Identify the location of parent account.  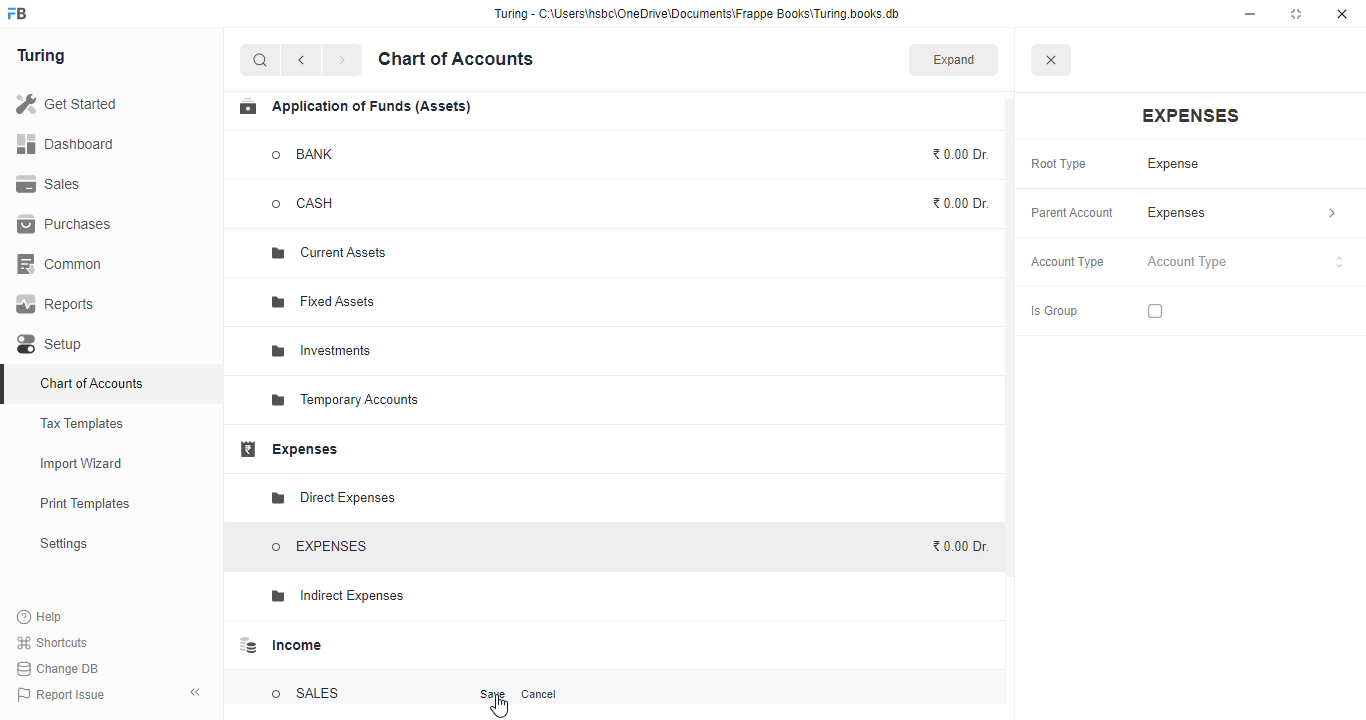
(1073, 214).